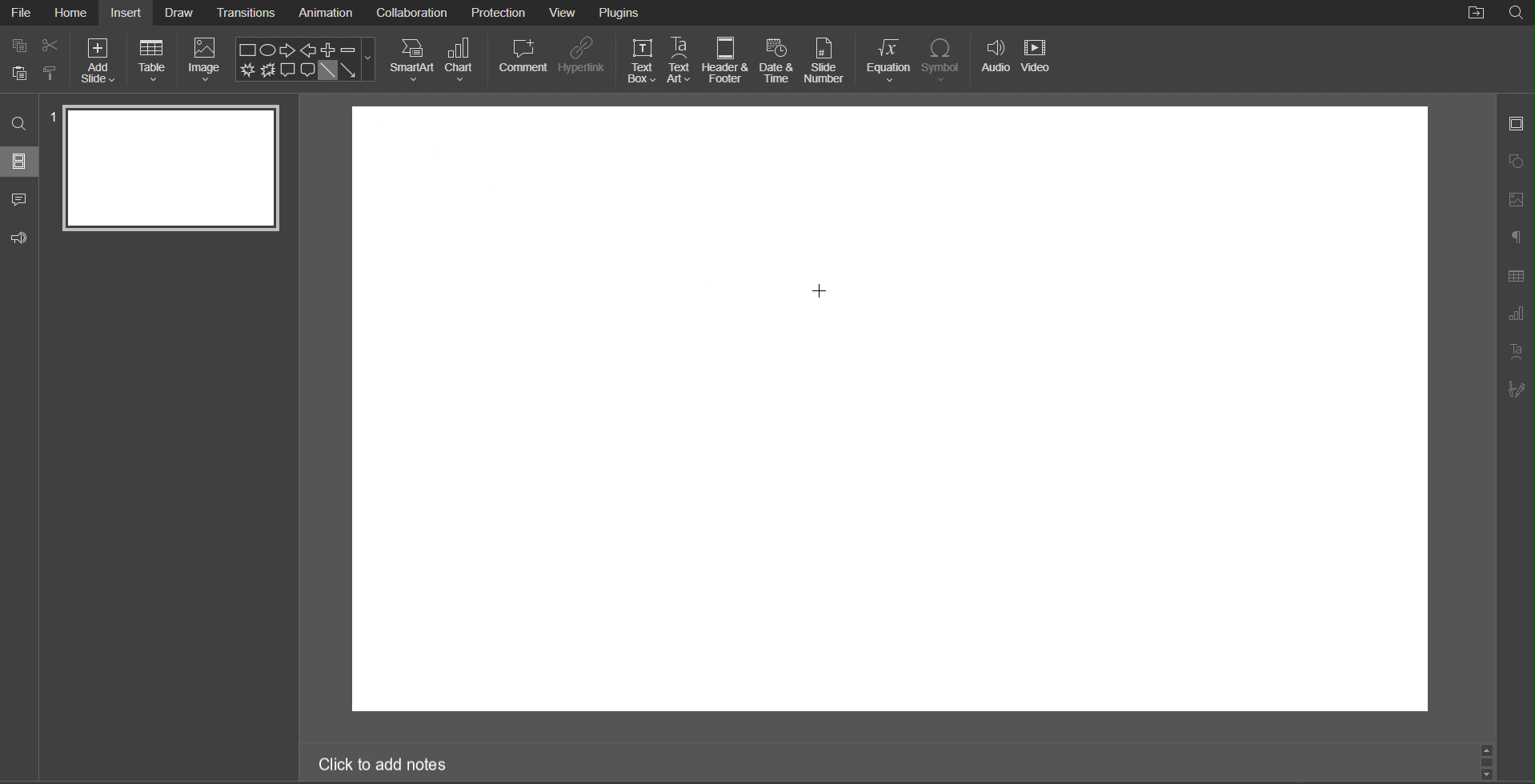 The width and height of the screenshot is (1535, 784). Describe the element at coordinates (1516, 201) in the screenshot. I see `Image Settings` at that location.